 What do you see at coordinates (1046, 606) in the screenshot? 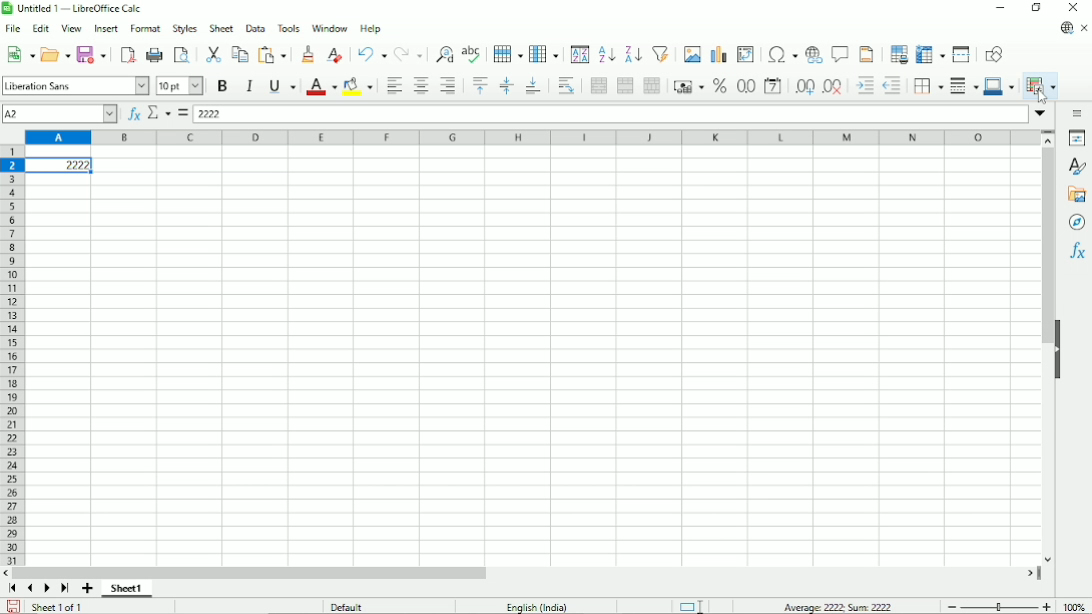
I see `Zoom in` at bounding box center [1046, 606].